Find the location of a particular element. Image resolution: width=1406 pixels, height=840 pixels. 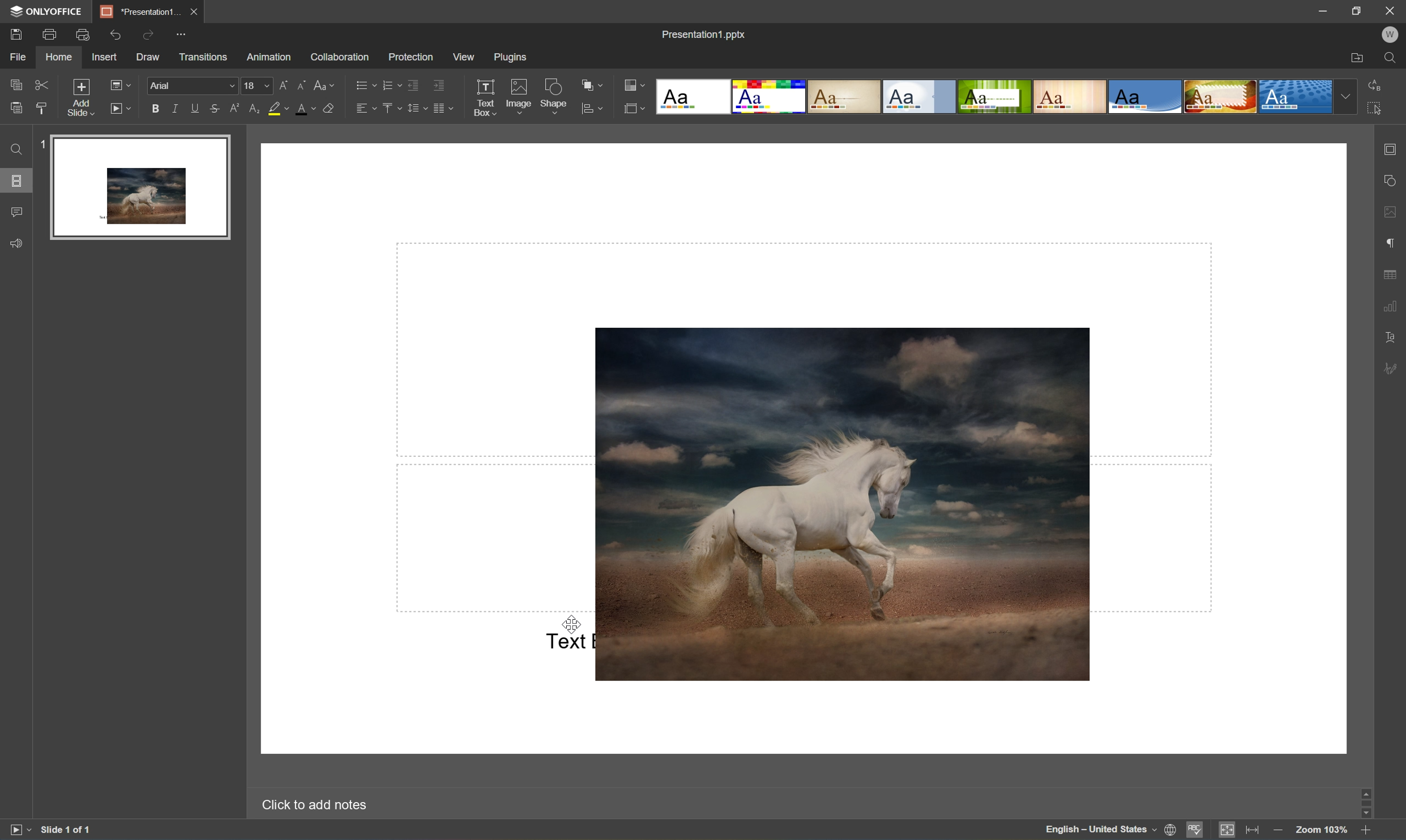

Spell checking is located at coordinates (1194, 829).